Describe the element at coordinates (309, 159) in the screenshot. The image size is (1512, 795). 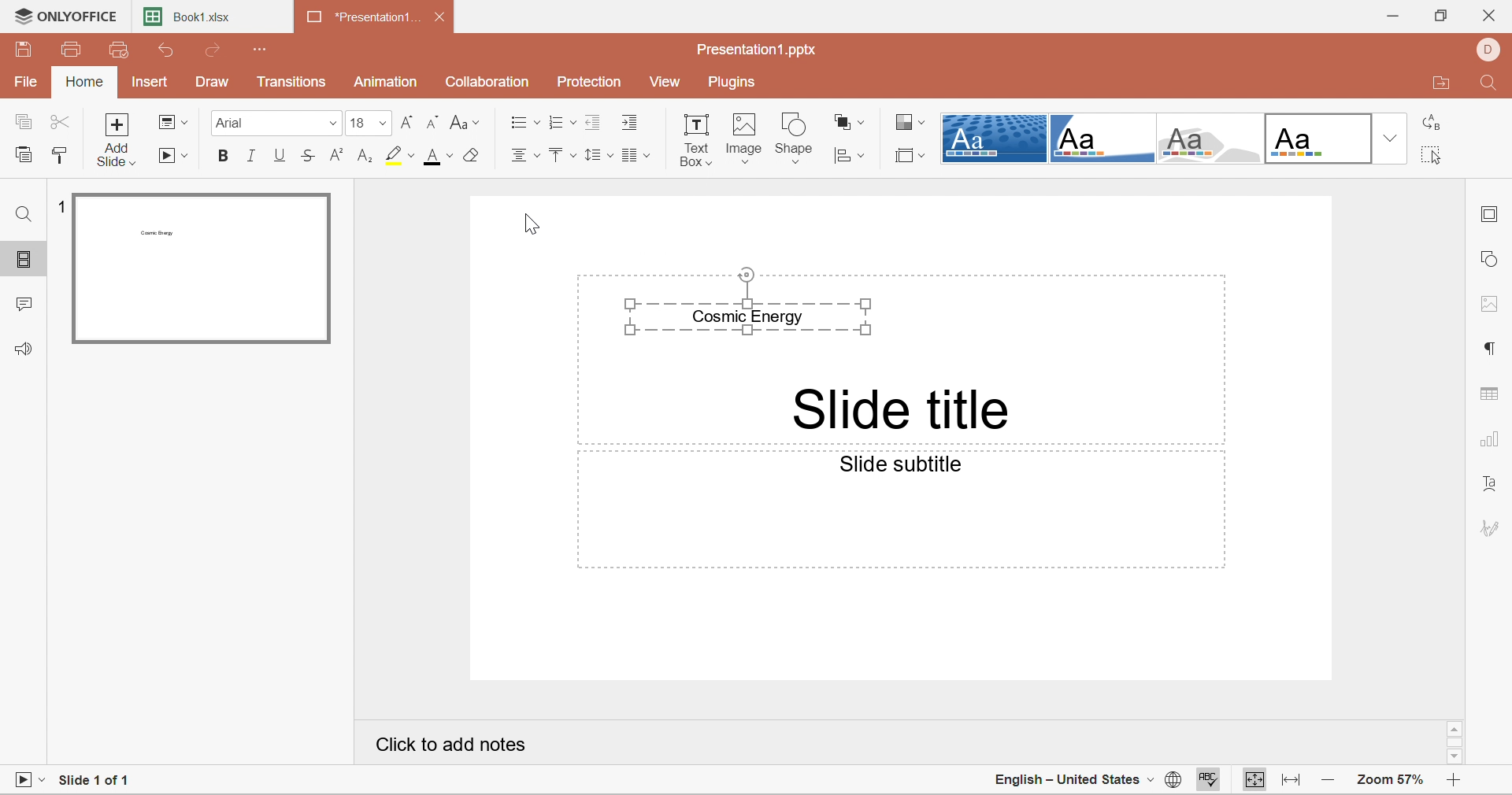
I see `Strikethrough` at that location.